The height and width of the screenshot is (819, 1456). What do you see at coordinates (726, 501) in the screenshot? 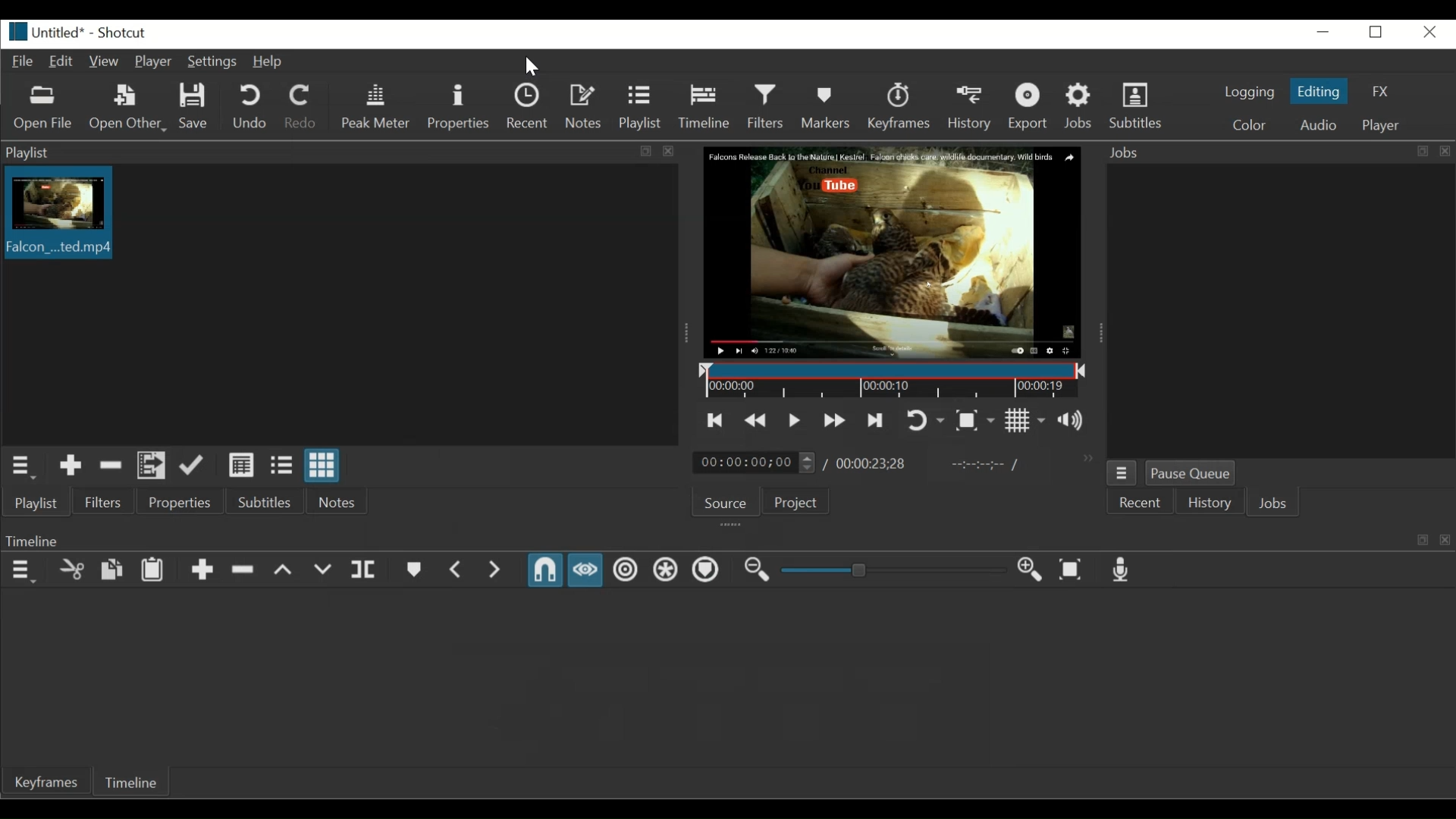
I see `Source` at bounding box center [726, 501].